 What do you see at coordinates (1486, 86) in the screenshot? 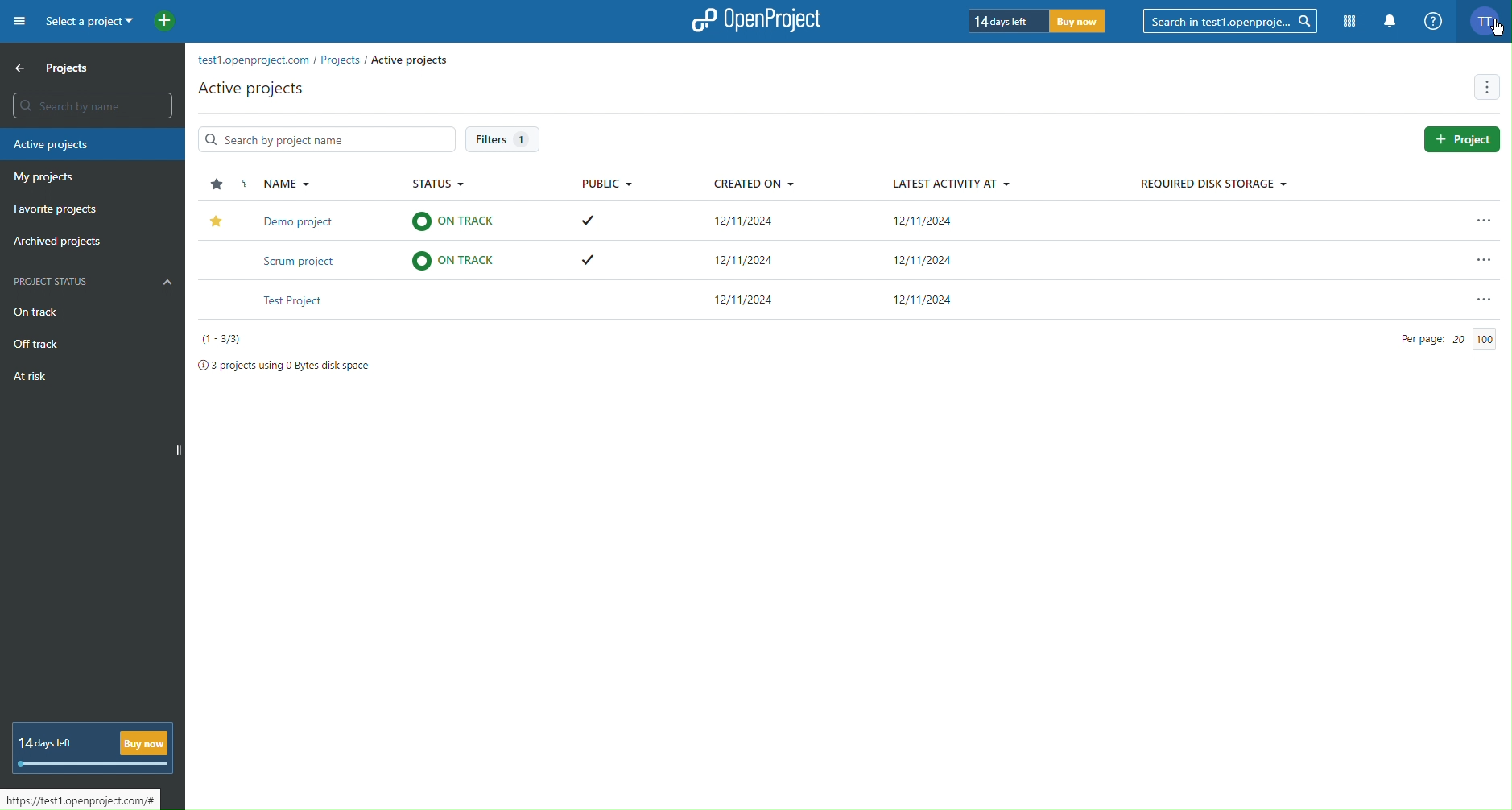
I see `More` at bounding box center [1486, 86].